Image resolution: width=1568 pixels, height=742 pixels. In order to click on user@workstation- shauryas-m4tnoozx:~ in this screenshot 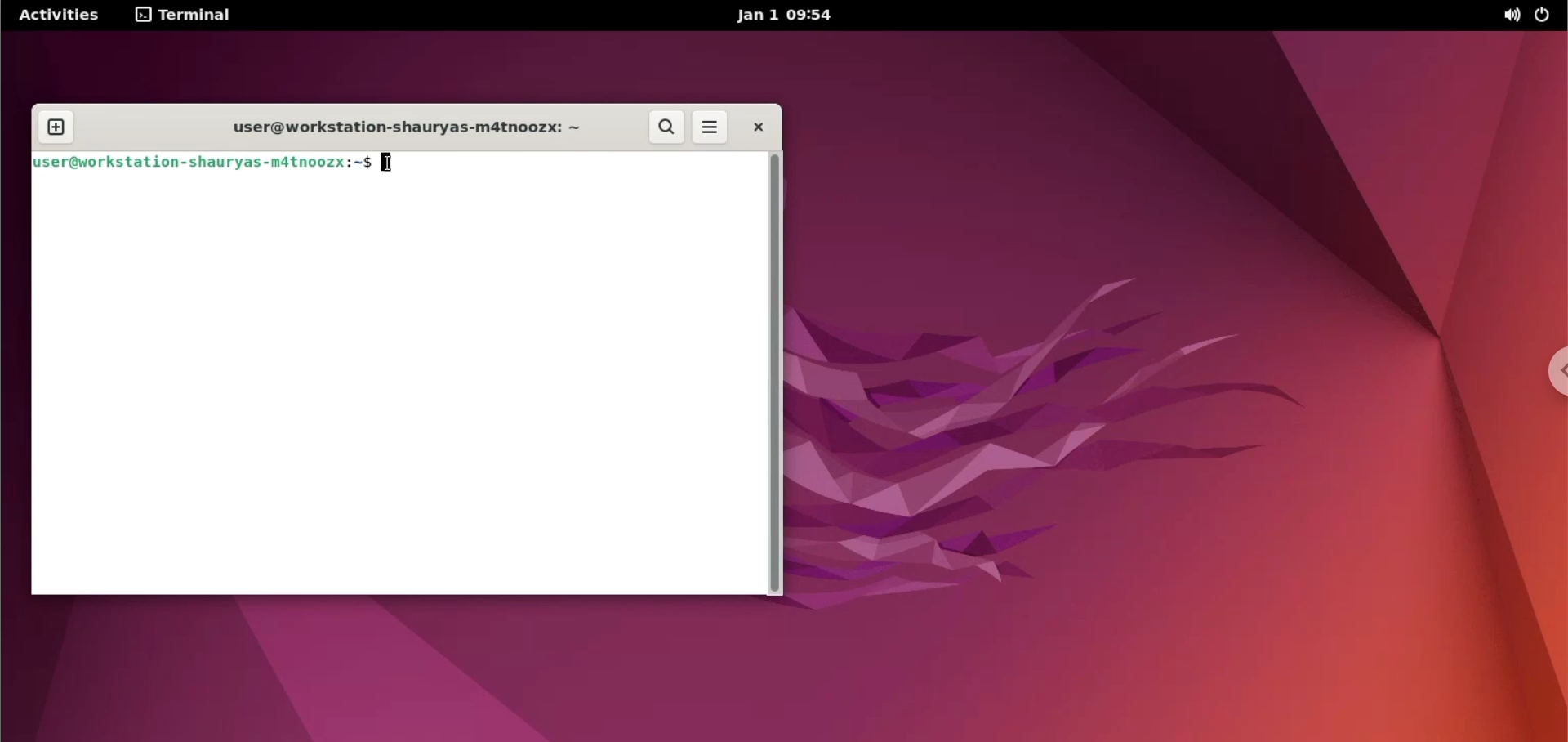, I will do `click(394, 126)`.